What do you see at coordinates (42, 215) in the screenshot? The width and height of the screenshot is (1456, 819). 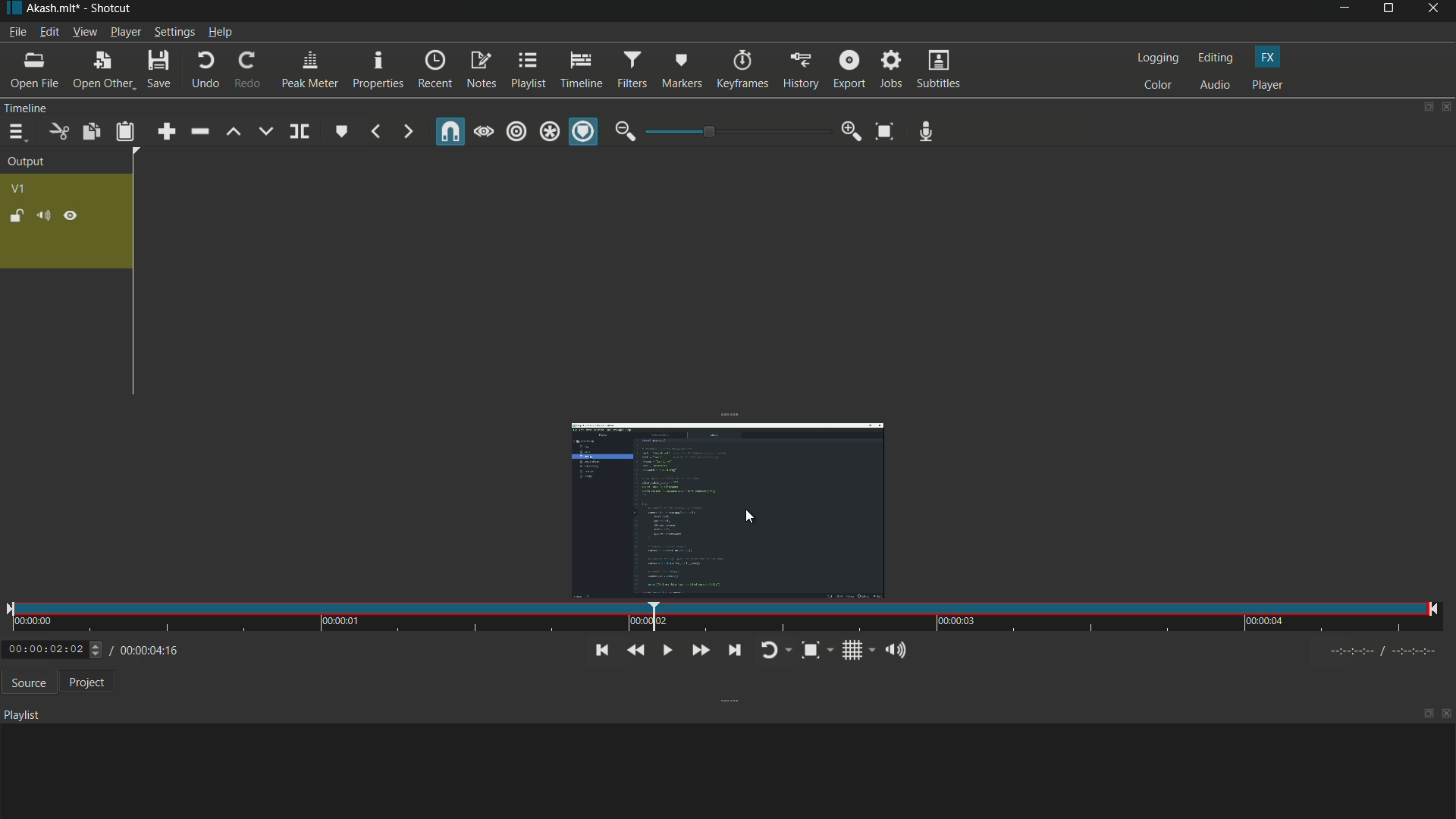 I see `mute` at bounding box center [42, 215].